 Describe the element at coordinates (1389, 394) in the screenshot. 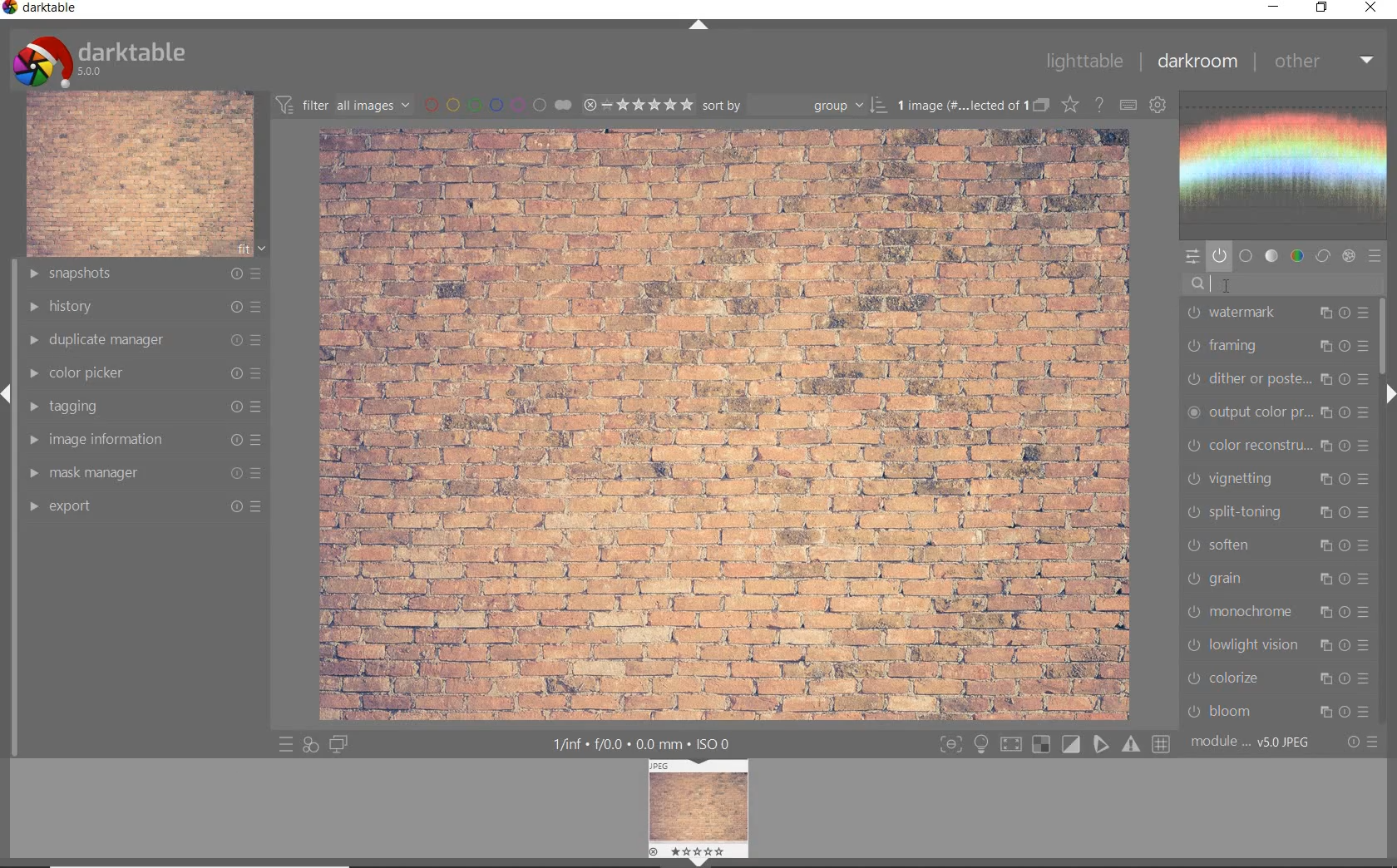

I see `next` at that location.